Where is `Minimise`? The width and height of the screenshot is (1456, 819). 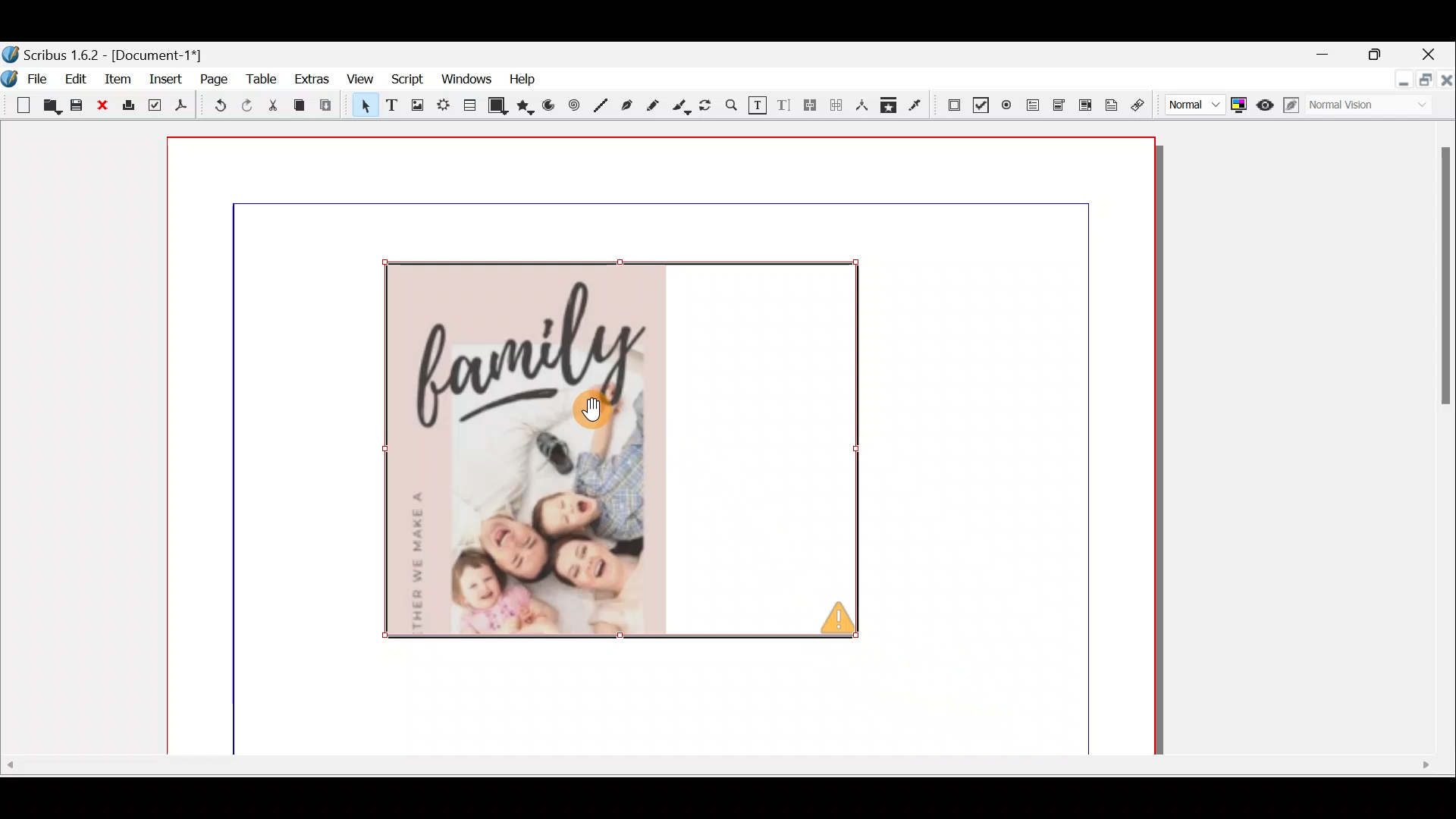
Minimise is located at coordinates (1398, 80).